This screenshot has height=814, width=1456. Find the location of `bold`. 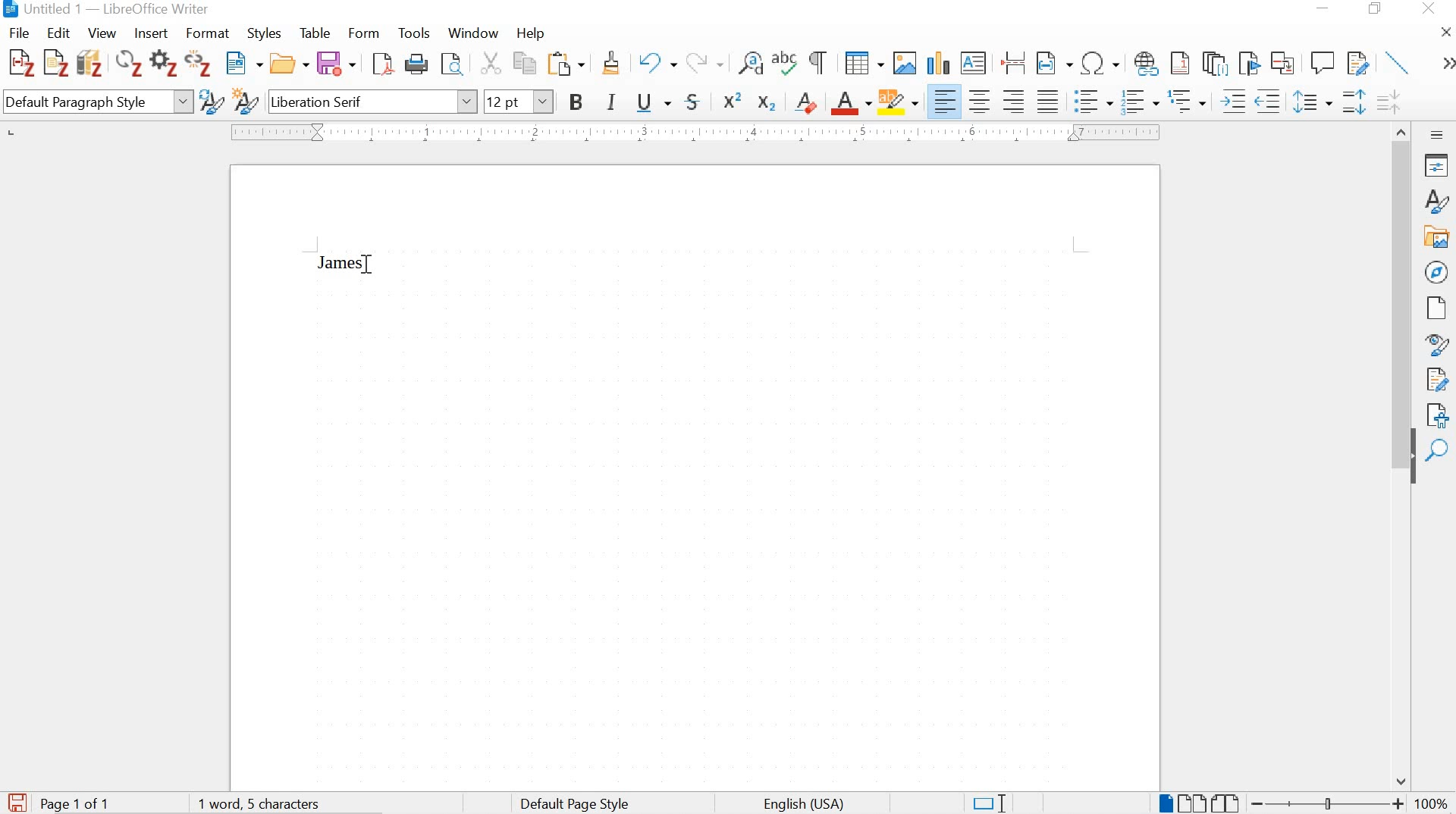

bold is located at coordinates (578, 104).